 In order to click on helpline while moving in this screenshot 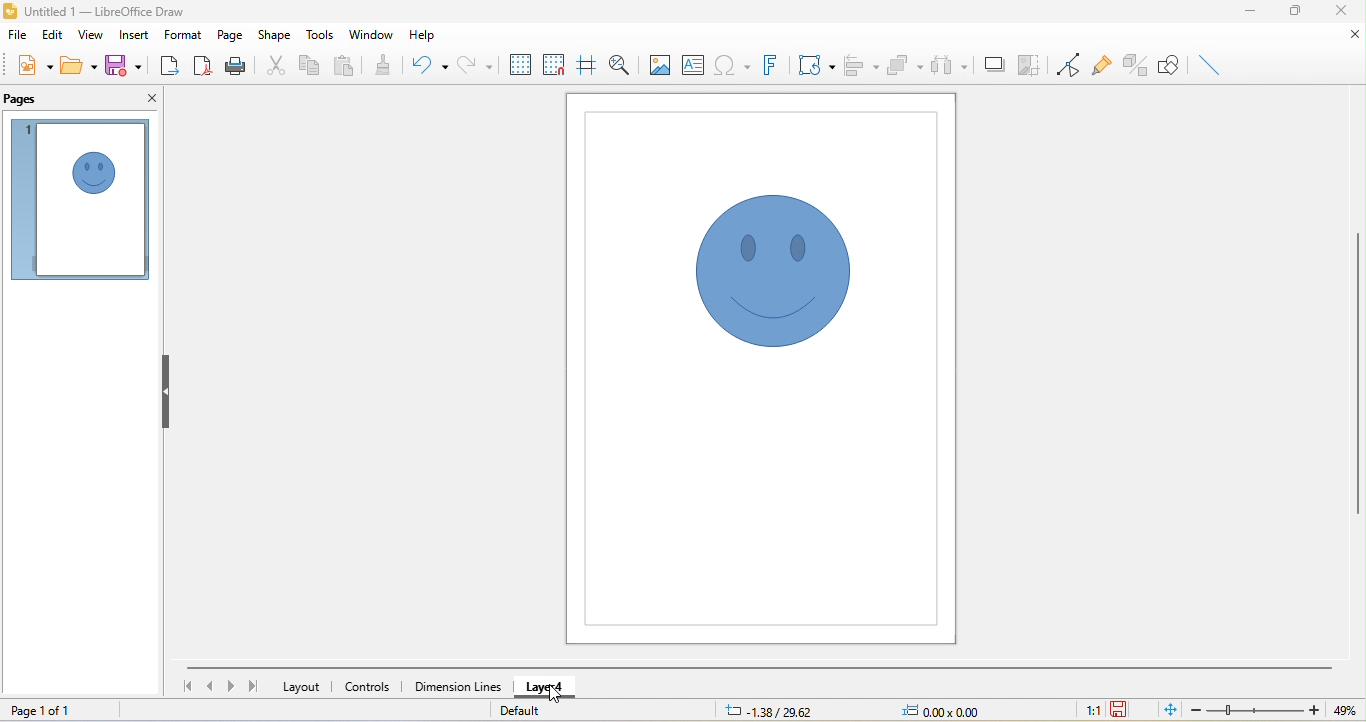, I will do `click(586, 65)`.